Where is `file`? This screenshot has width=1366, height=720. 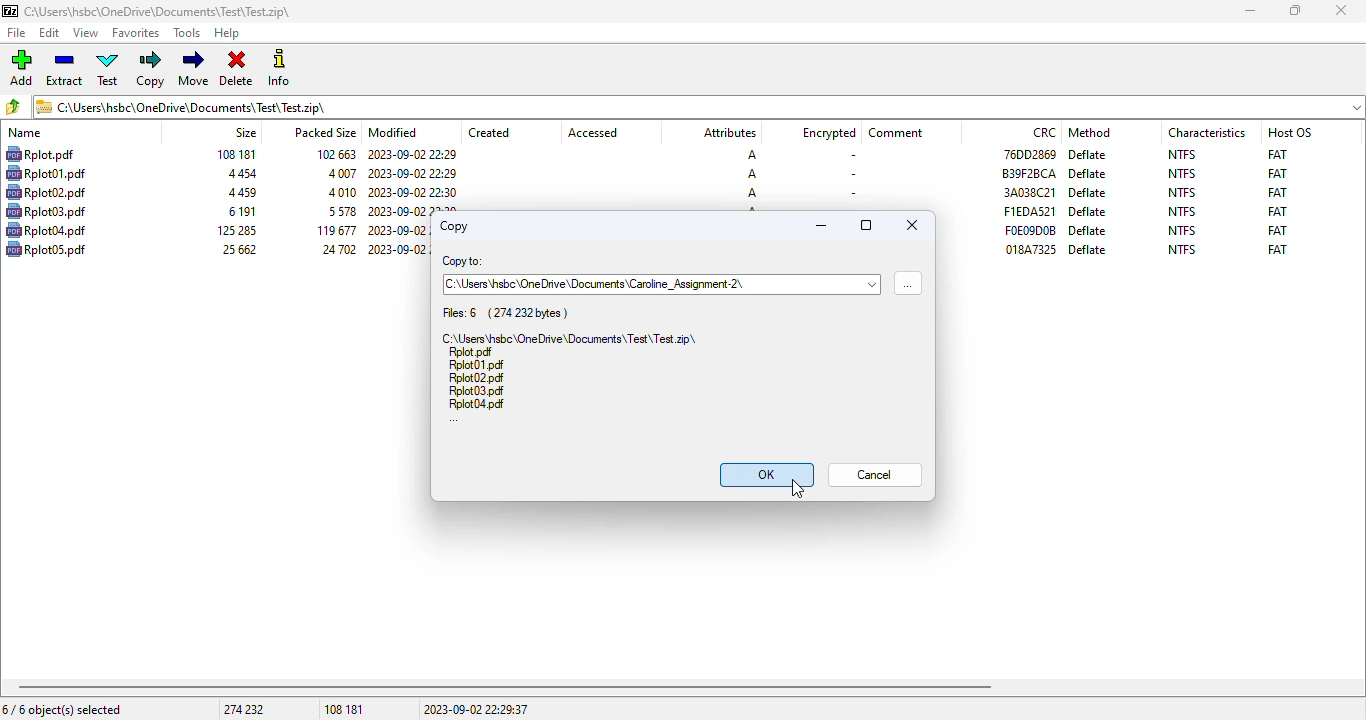 file is located at coordinates (46, 230).